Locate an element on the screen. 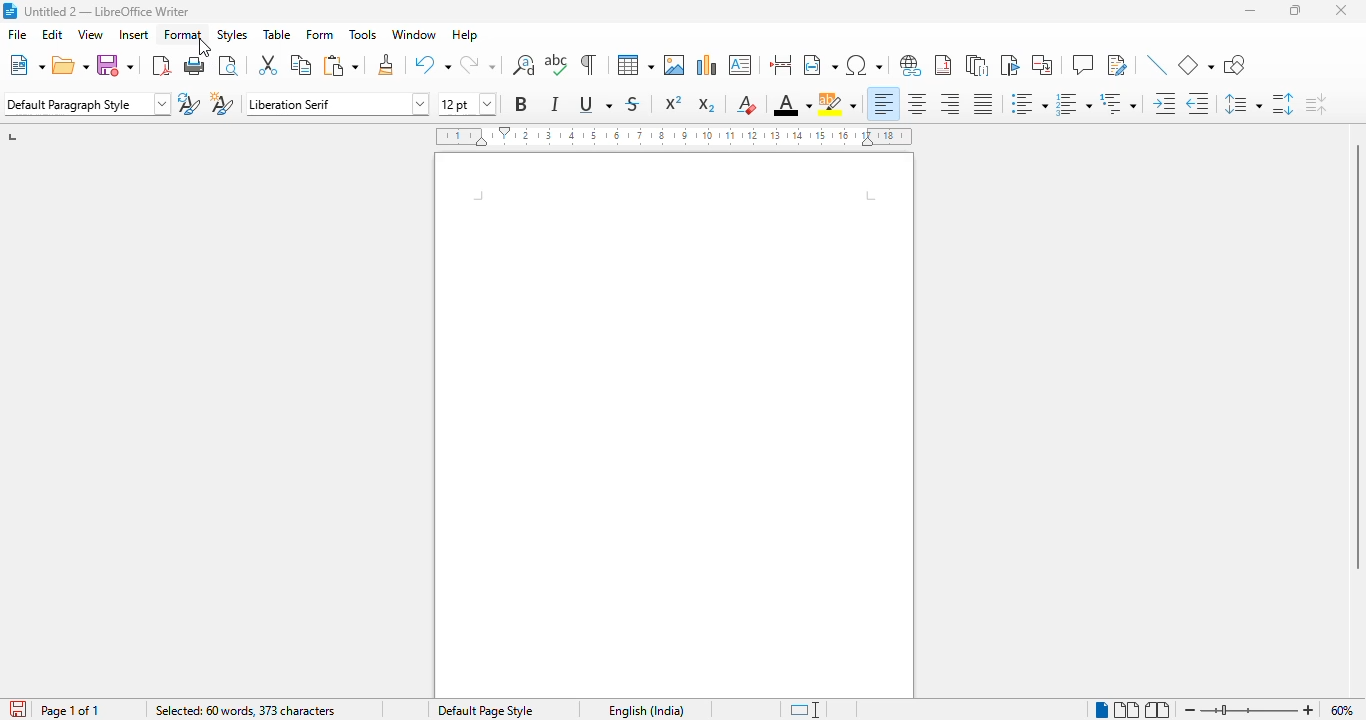  toggle print preview is located at coordinates (228, 65).